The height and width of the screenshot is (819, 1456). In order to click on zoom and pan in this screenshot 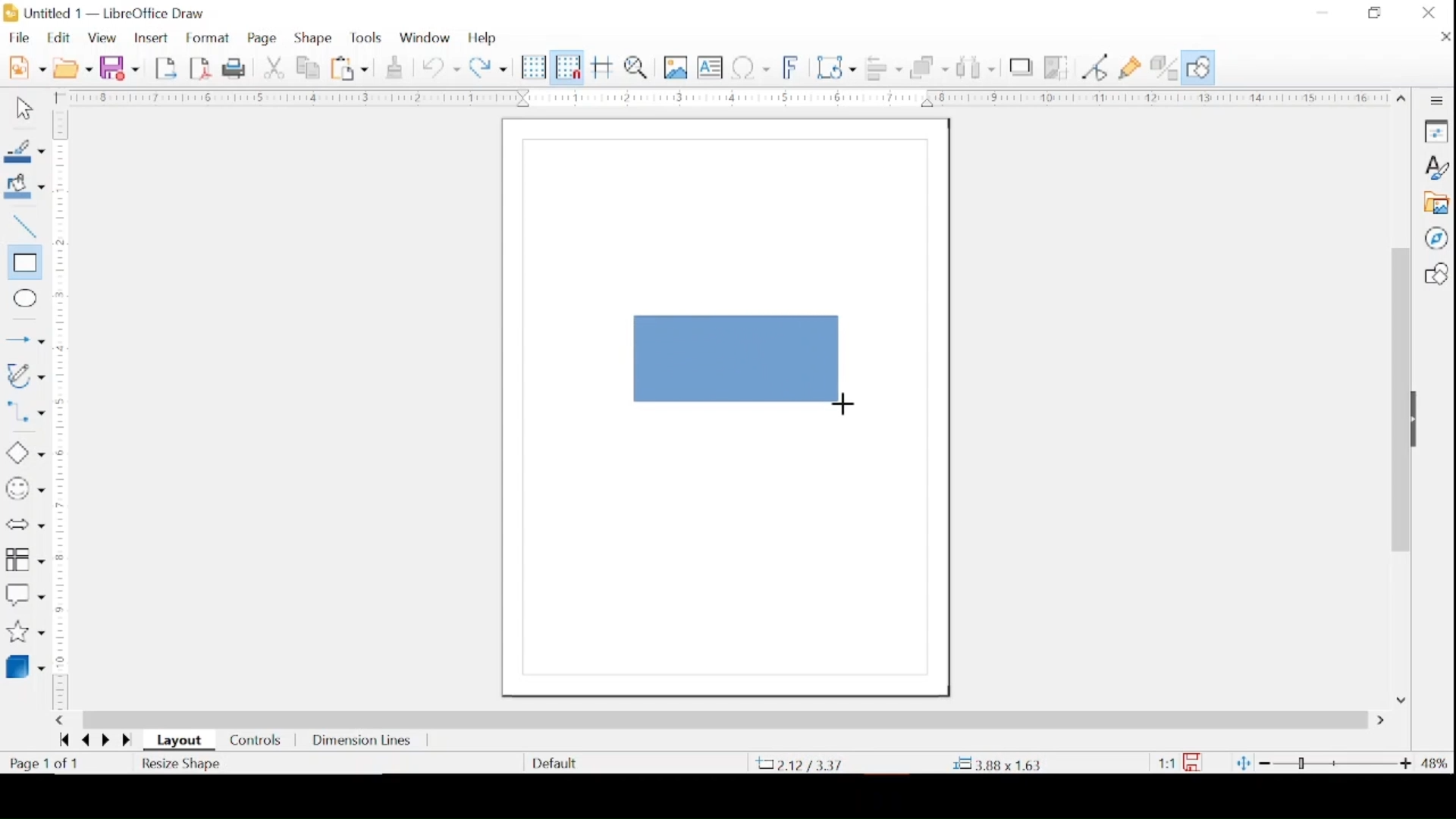, I will do `click(639, 67)`.